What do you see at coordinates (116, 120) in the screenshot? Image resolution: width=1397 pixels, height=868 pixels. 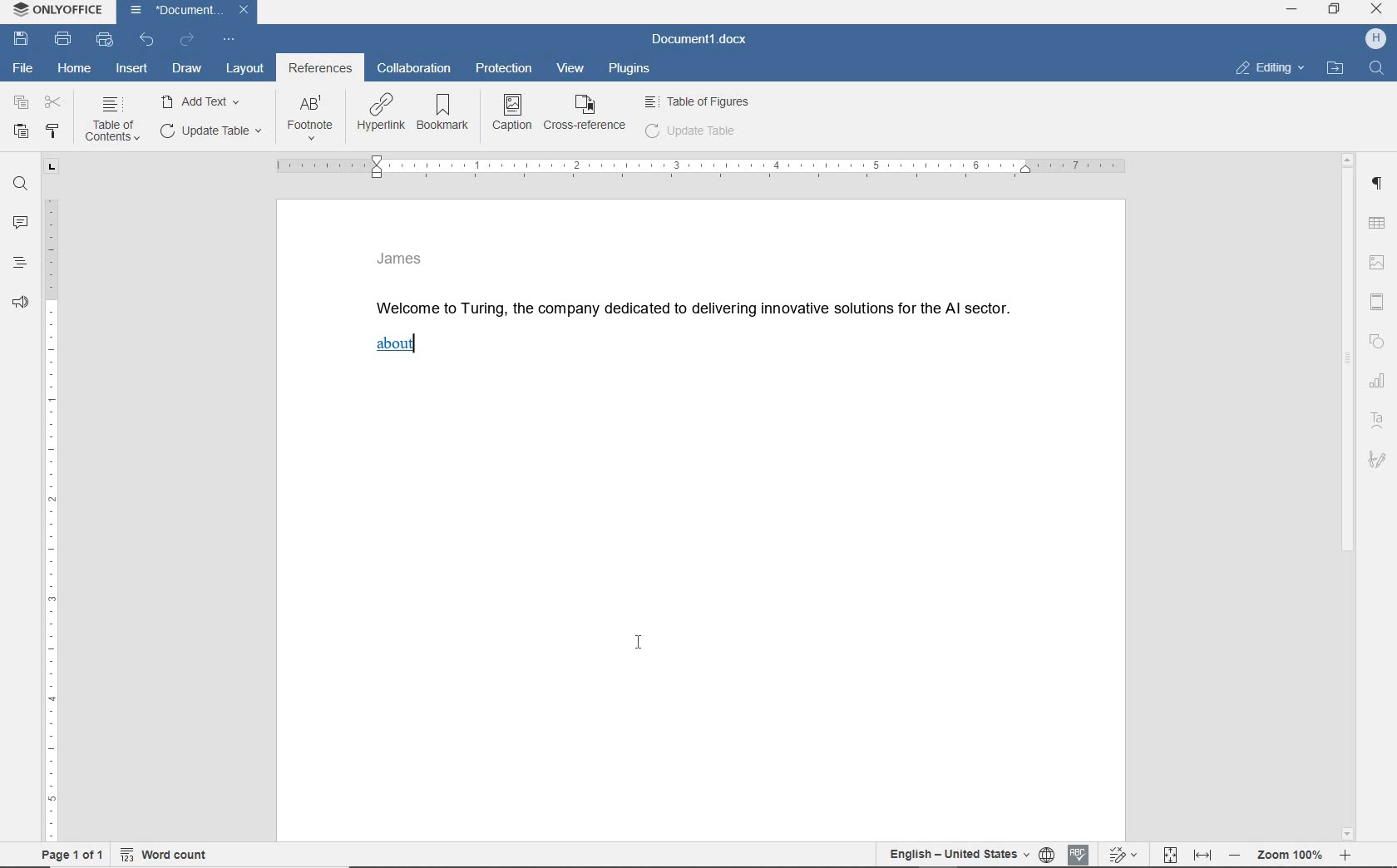 I see `TABLE OF CONTENTS` at bounding box center [116, 120].